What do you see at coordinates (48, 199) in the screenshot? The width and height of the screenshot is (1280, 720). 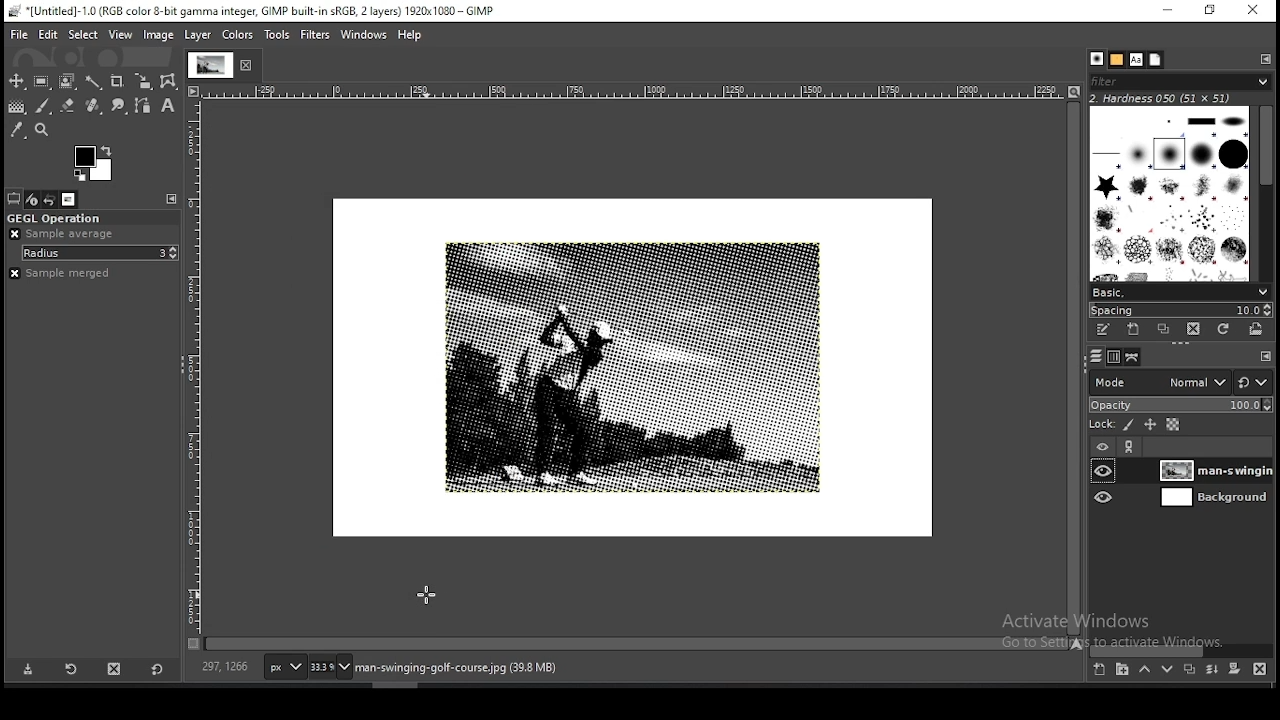 I see `undo history` at bounding box center [48, 199].